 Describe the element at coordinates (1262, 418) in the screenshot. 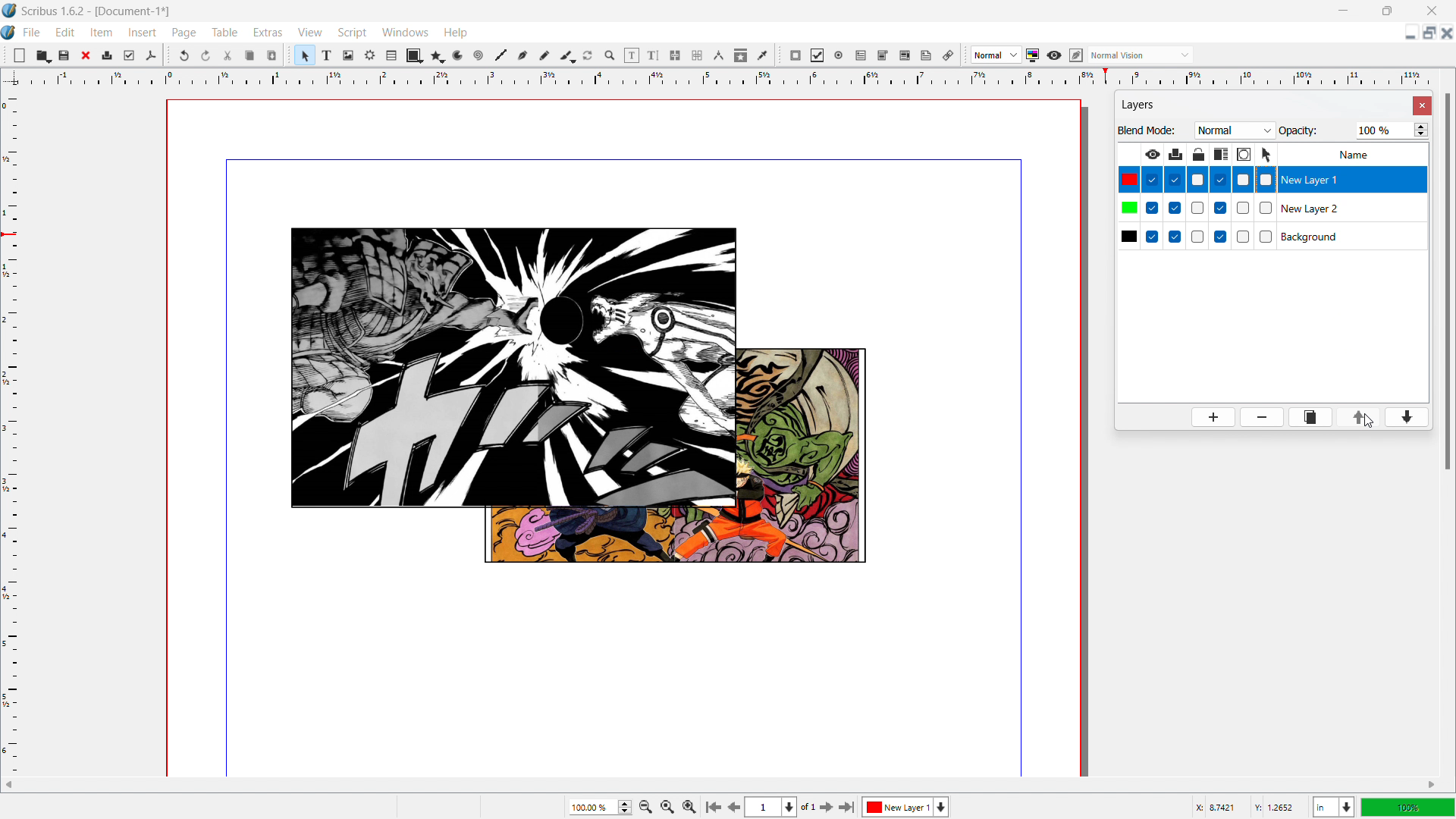

I see `delete layer` at that location.